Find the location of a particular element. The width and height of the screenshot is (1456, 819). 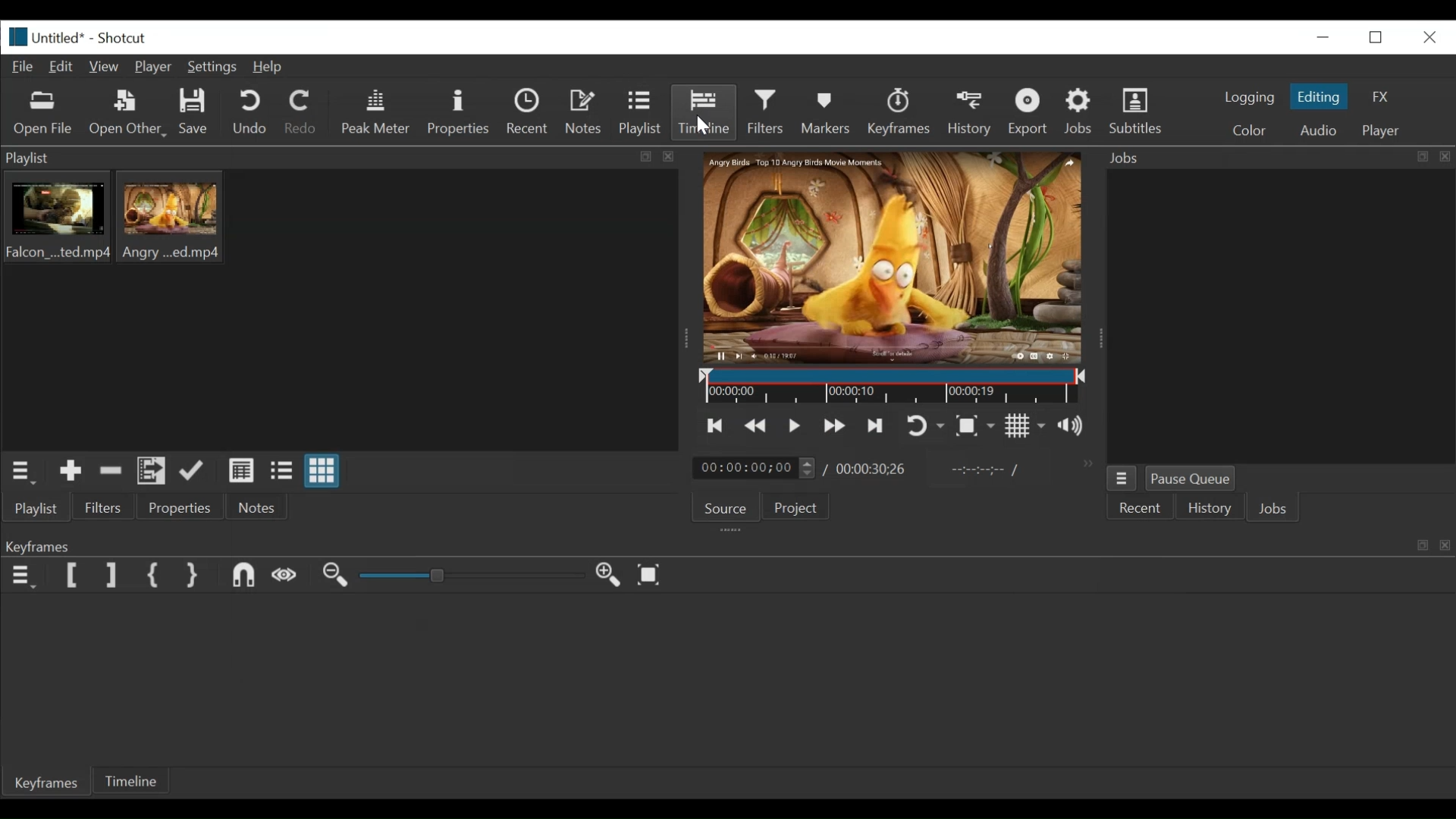

slider is located at coordinates (470, 577).